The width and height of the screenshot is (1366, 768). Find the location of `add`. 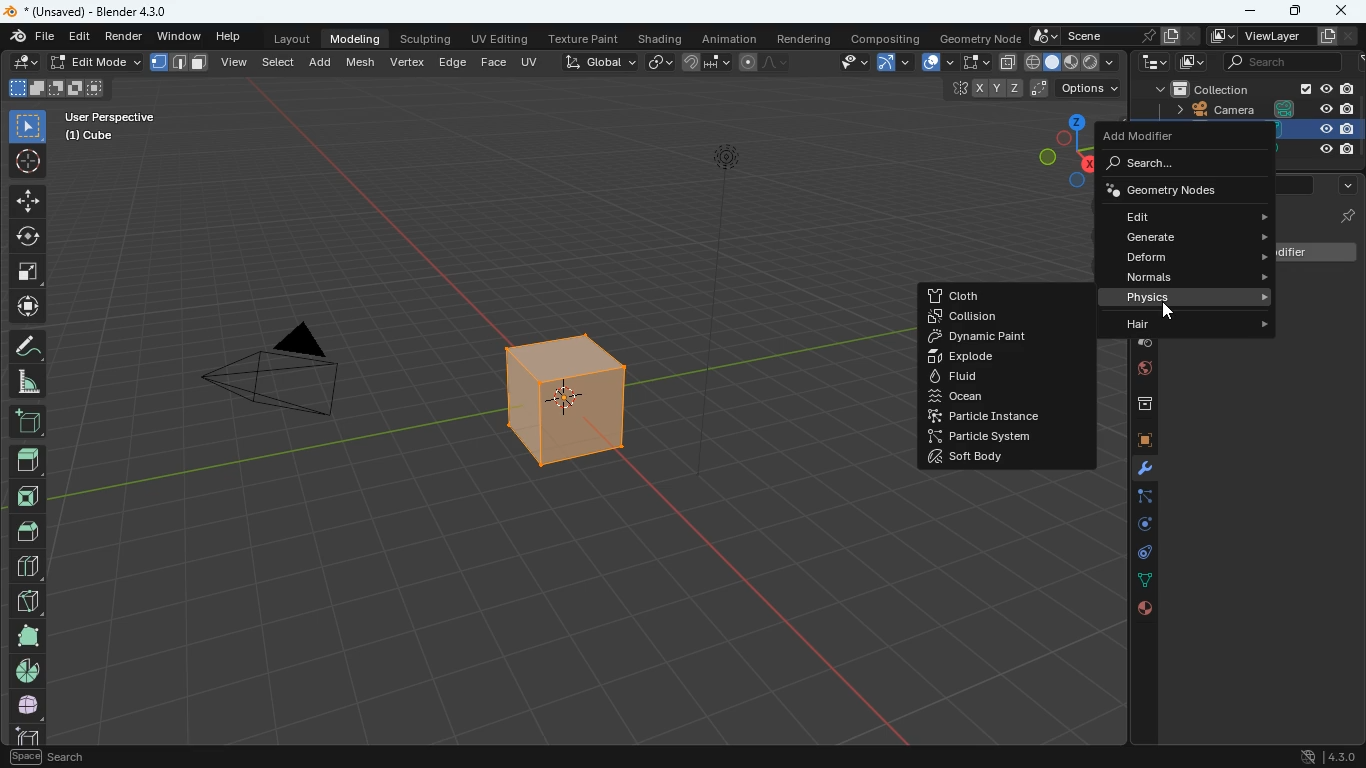

add is located at coordinates (324, 61).